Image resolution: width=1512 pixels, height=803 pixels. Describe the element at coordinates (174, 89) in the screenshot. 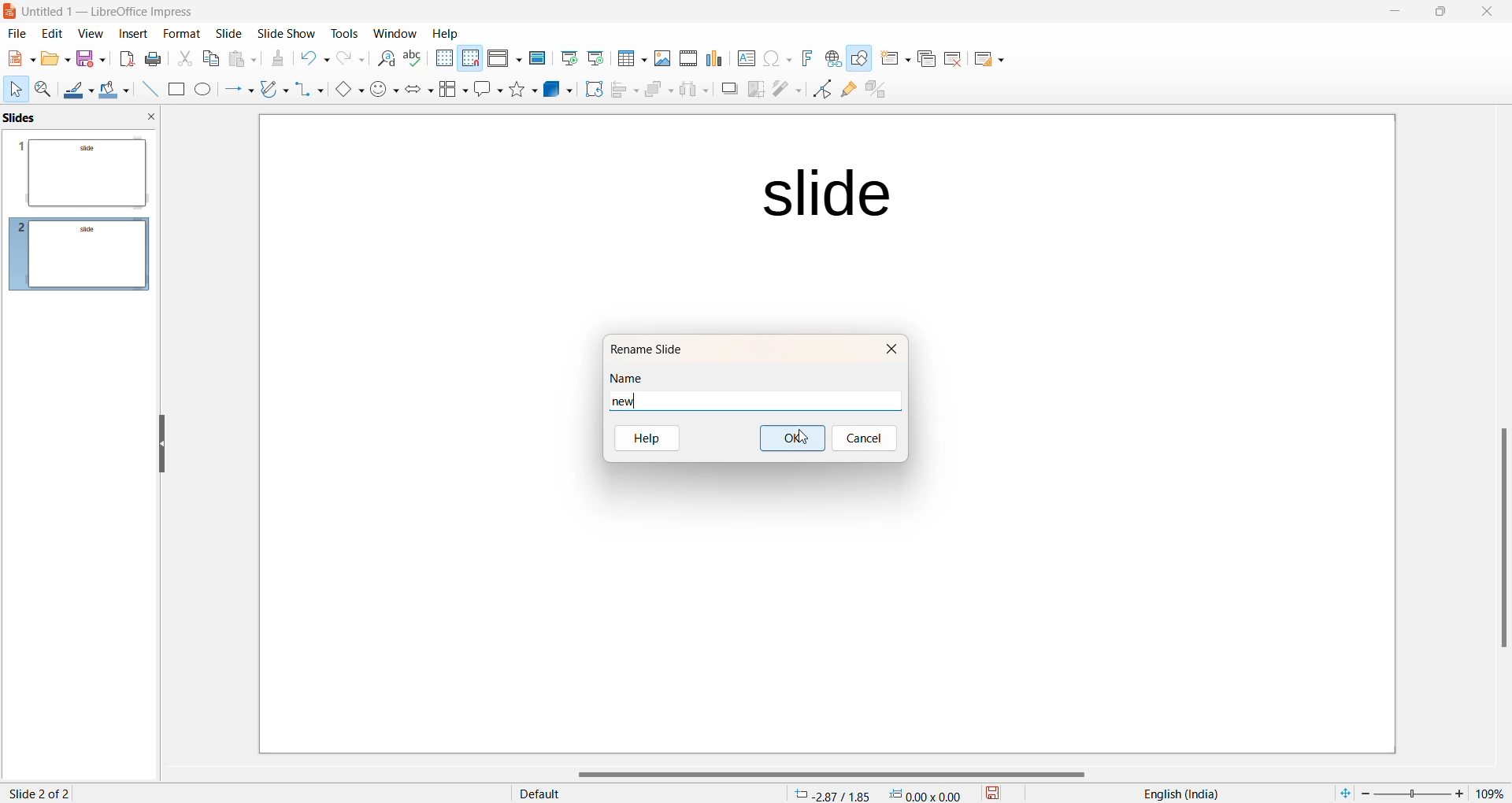

I see `Rectangle` at that location.